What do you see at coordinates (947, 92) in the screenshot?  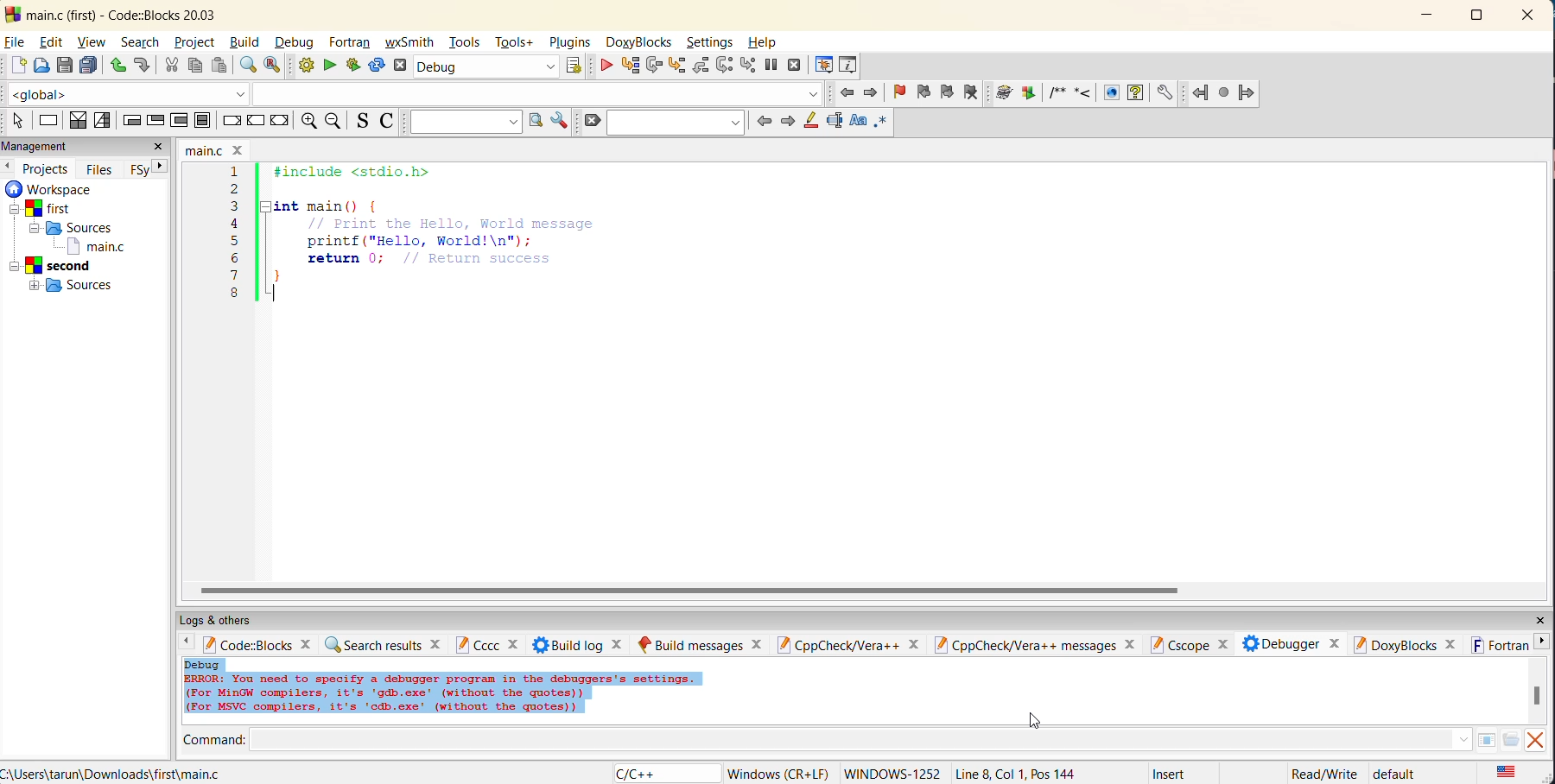 I see `next bookmark` at bounding box center [947, 92].